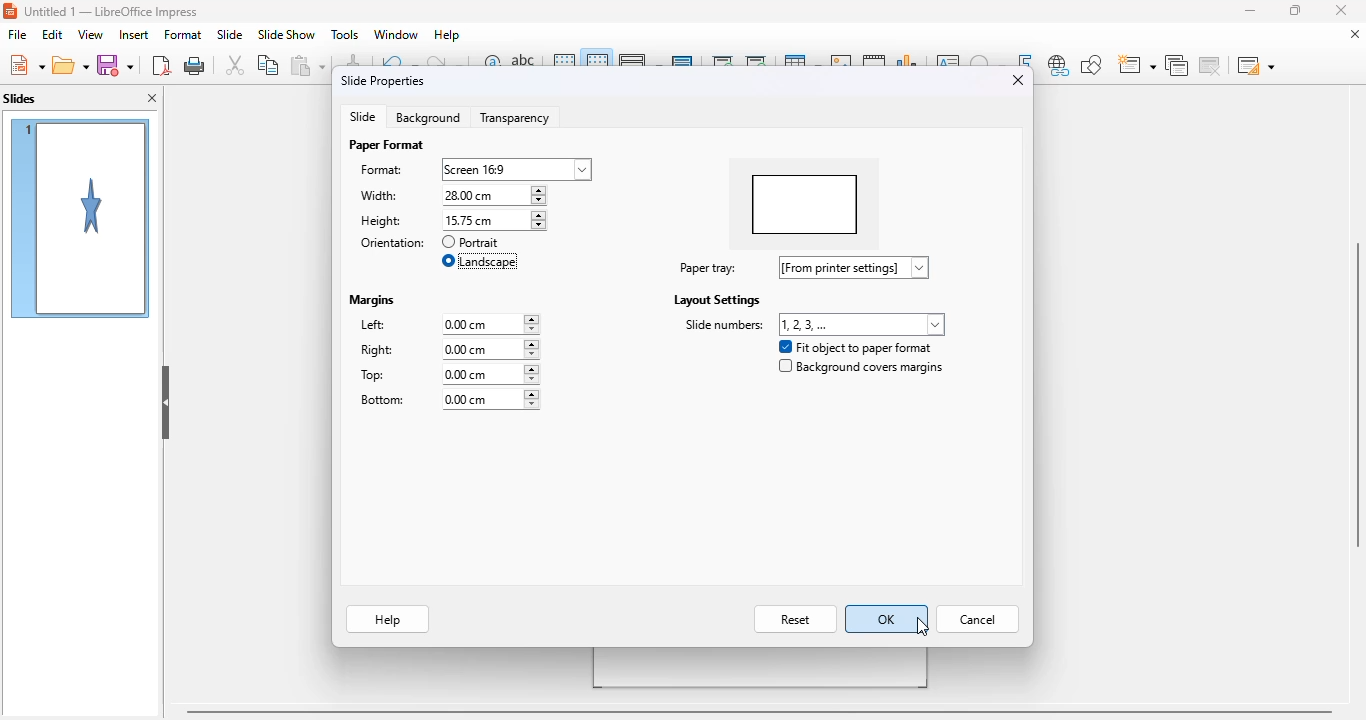  I want to click on Untitled 1- Libreoffice impress, so click(111, 11).